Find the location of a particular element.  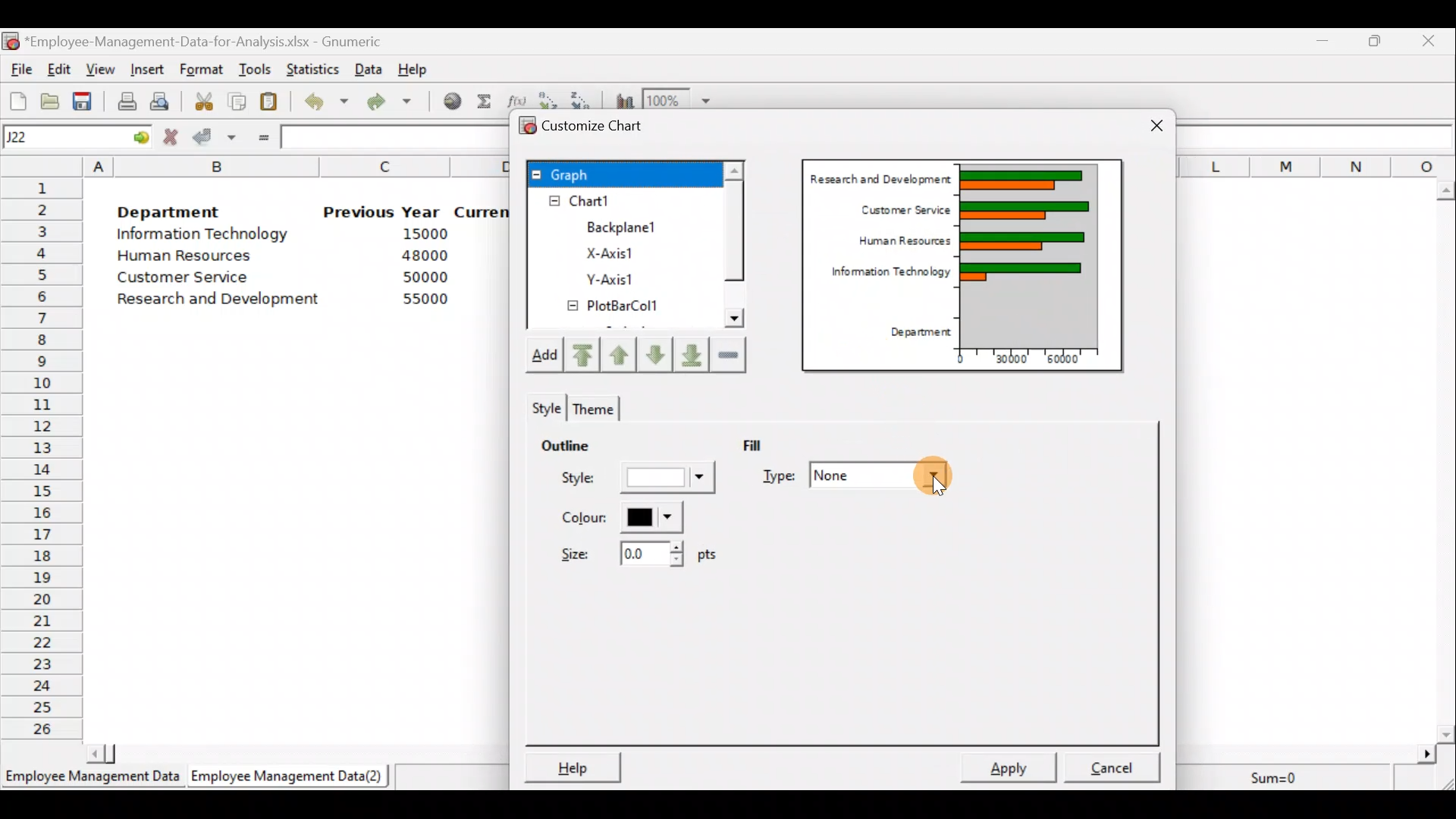

Close is located at coordinates (1432, 40).